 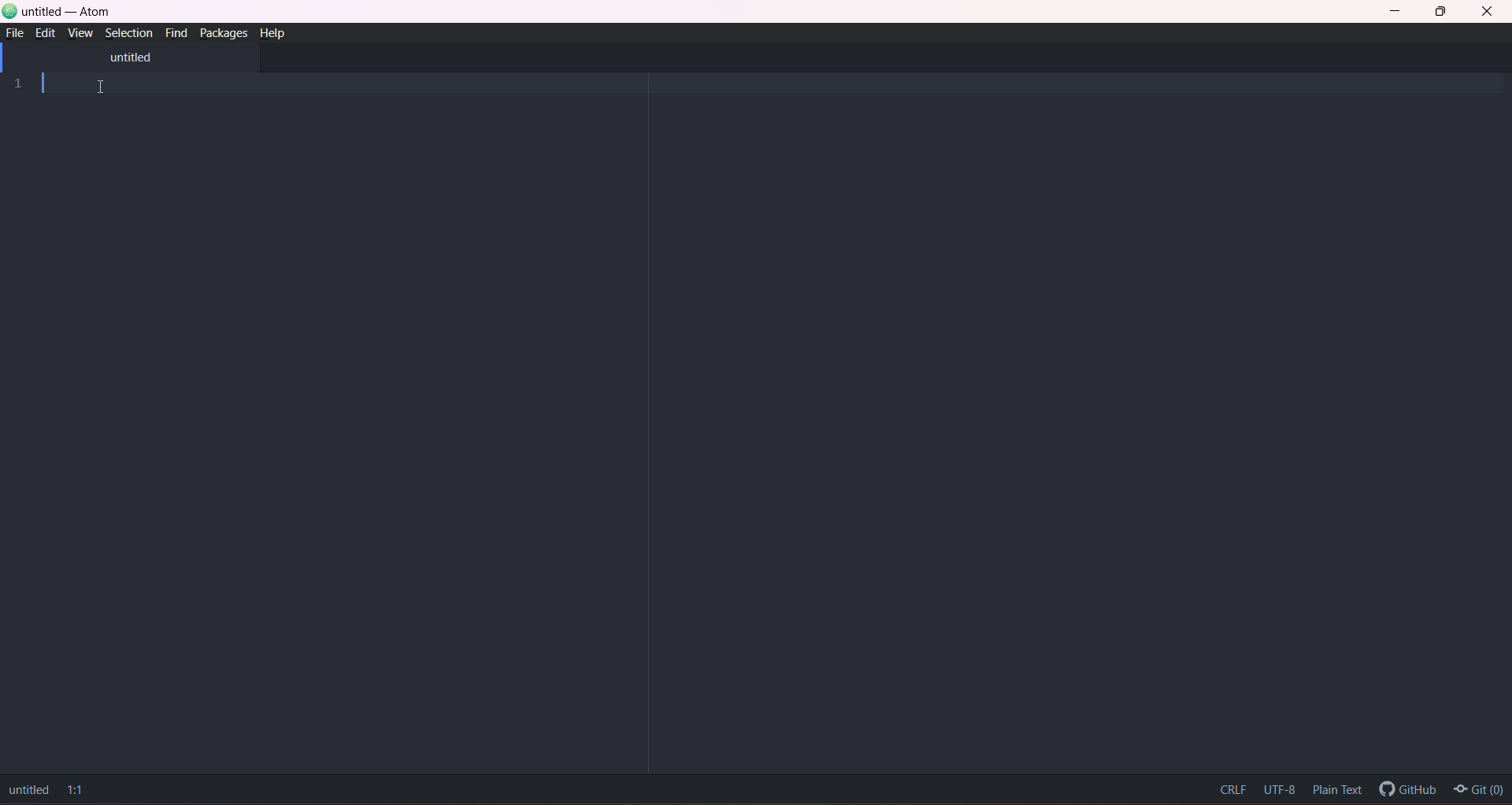 What do you see at coordinates (46, 33) in the screenshot?
I see `Edit` at bounding box center [46, 33].